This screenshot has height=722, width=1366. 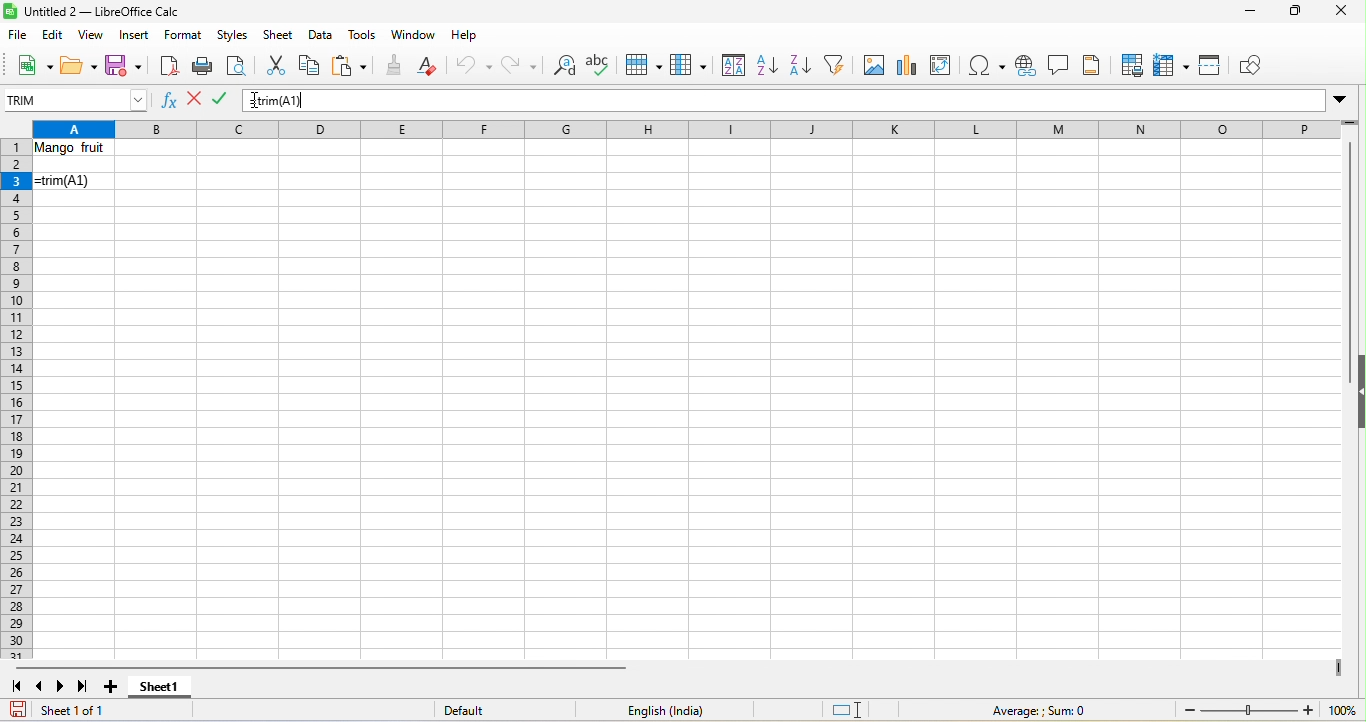 I want to click on function wizard, so click(x=172, y=104).